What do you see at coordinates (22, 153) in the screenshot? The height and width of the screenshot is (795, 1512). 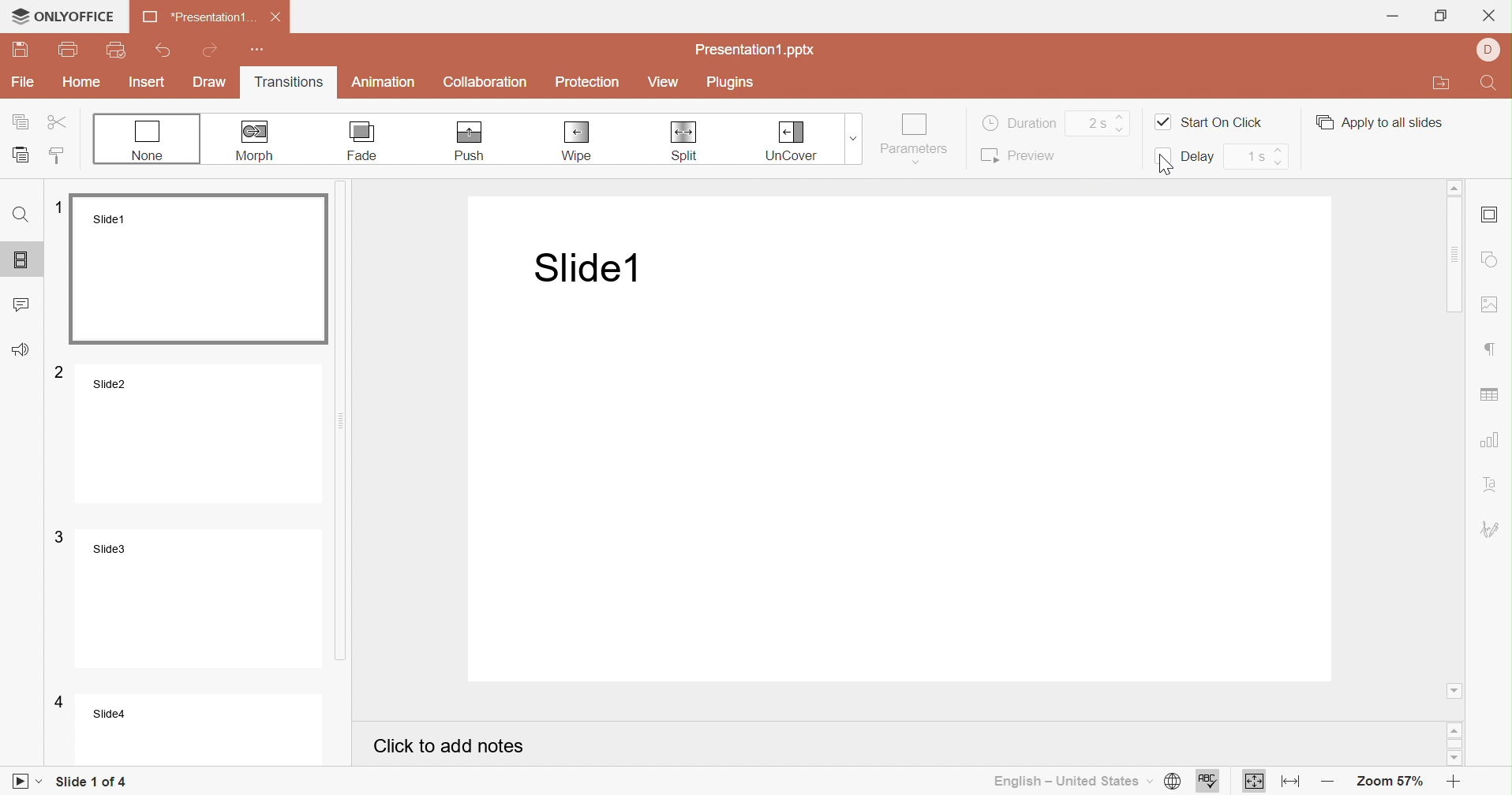 I see `Paste` at bounding box center [22, 153].